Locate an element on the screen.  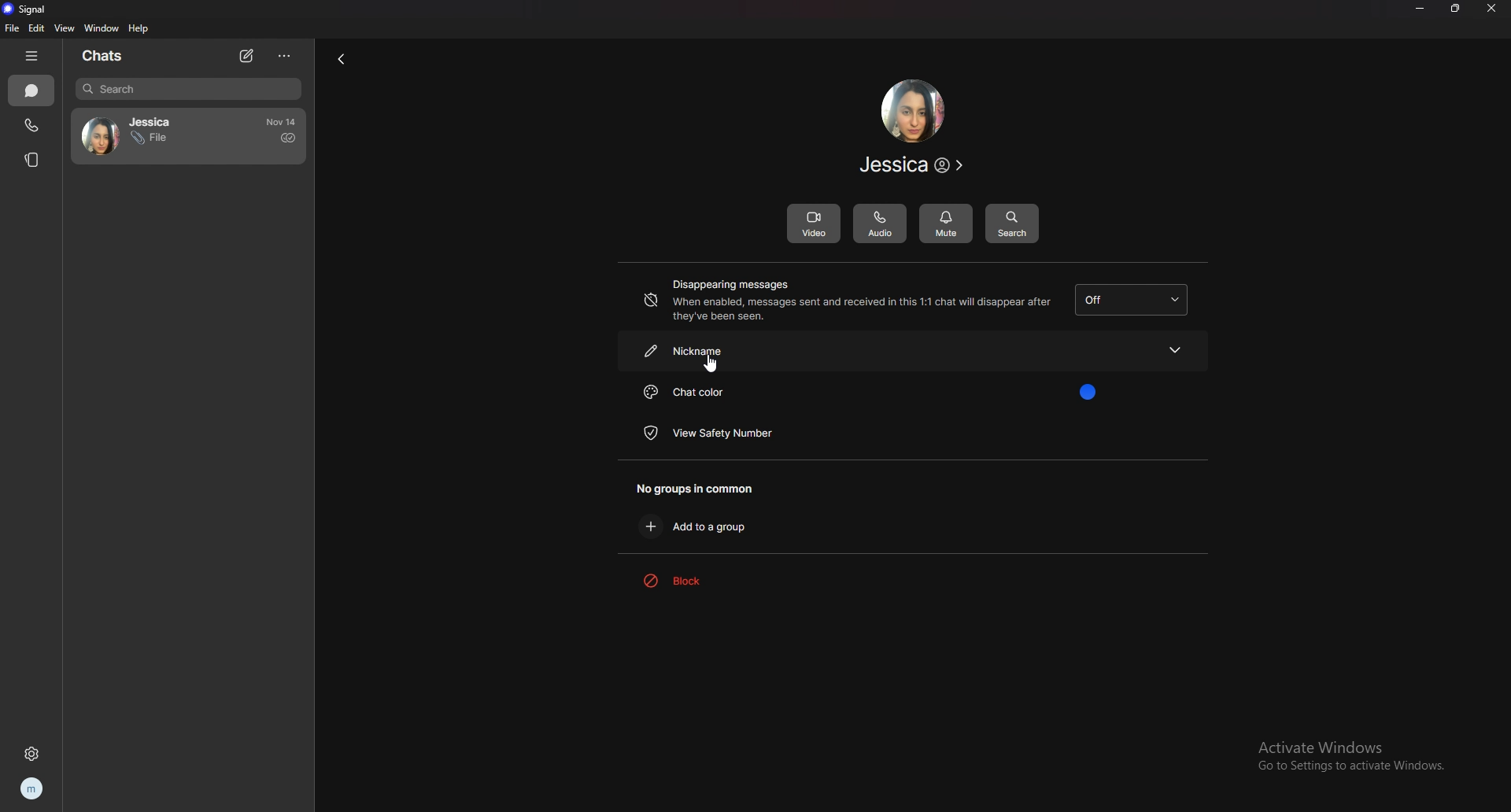
video is located at coordinates (813, 223).